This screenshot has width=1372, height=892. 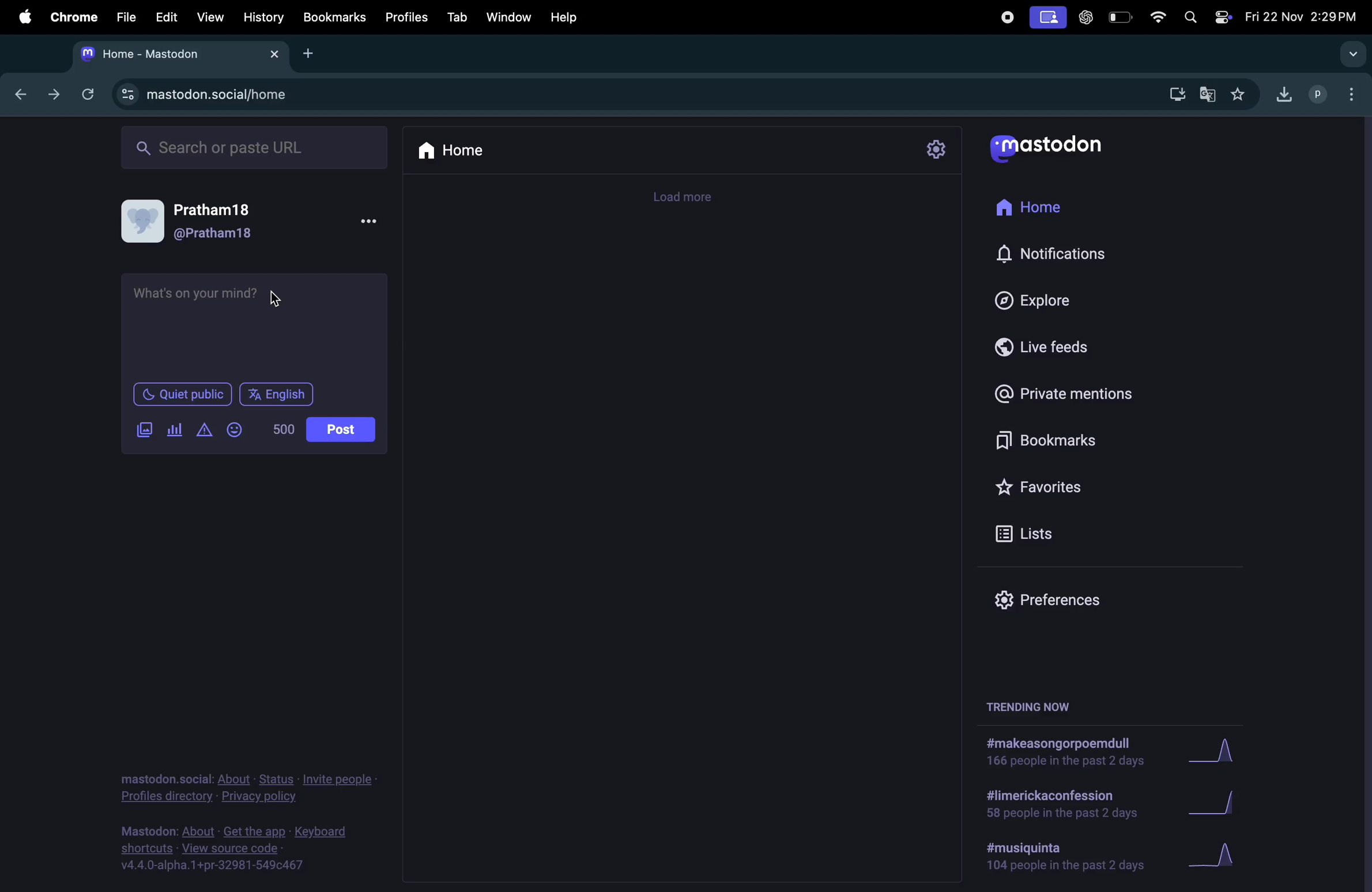 I want to click on bookmarks, so click(x=335, y=17).